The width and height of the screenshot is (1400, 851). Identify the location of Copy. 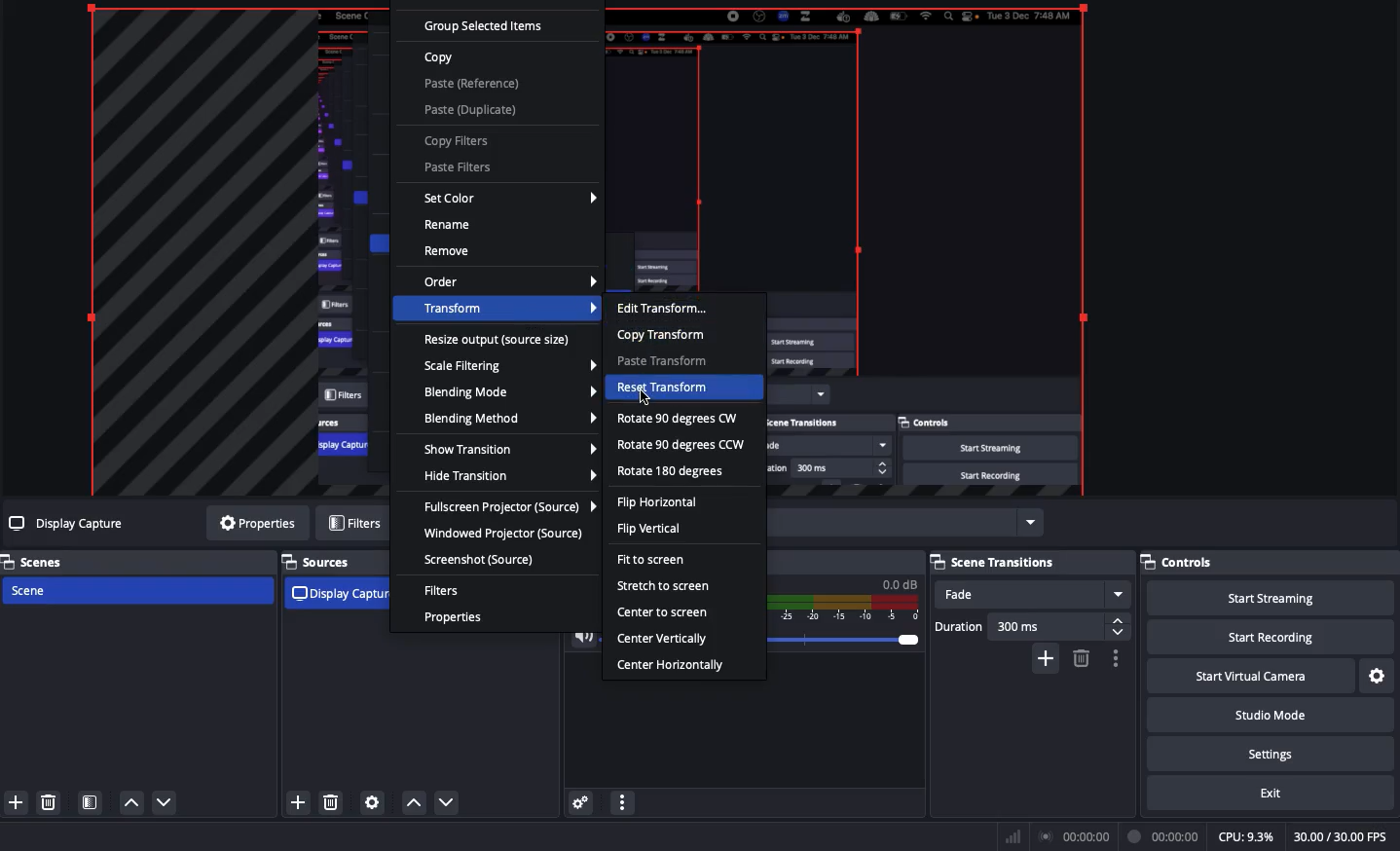
(439, 57).